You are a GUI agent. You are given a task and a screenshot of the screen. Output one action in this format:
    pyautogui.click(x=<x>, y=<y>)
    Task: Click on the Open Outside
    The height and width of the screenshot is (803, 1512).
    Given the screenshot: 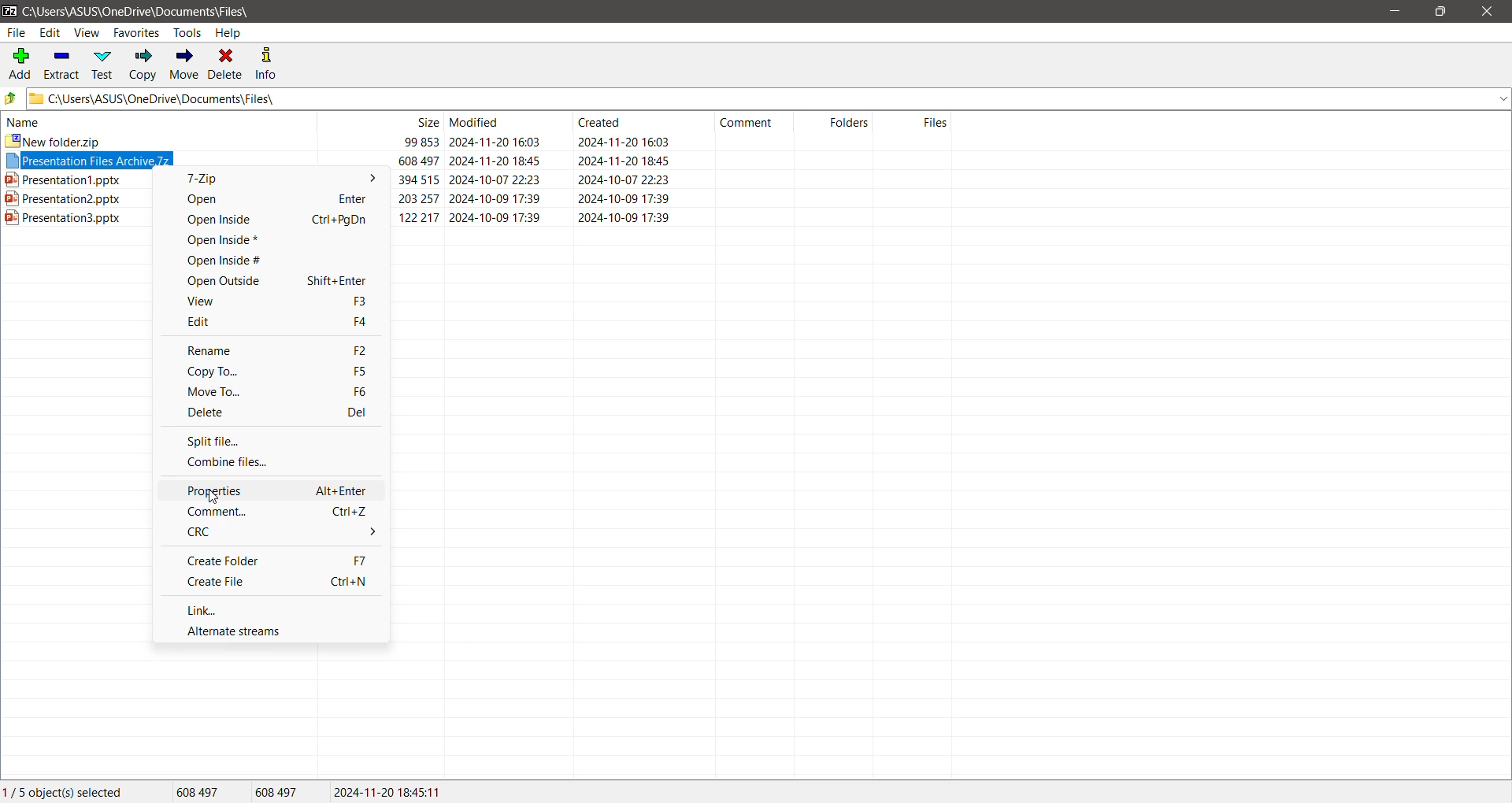 What is the action you would take?
    pyautogui.click(x=229, y=280)
    